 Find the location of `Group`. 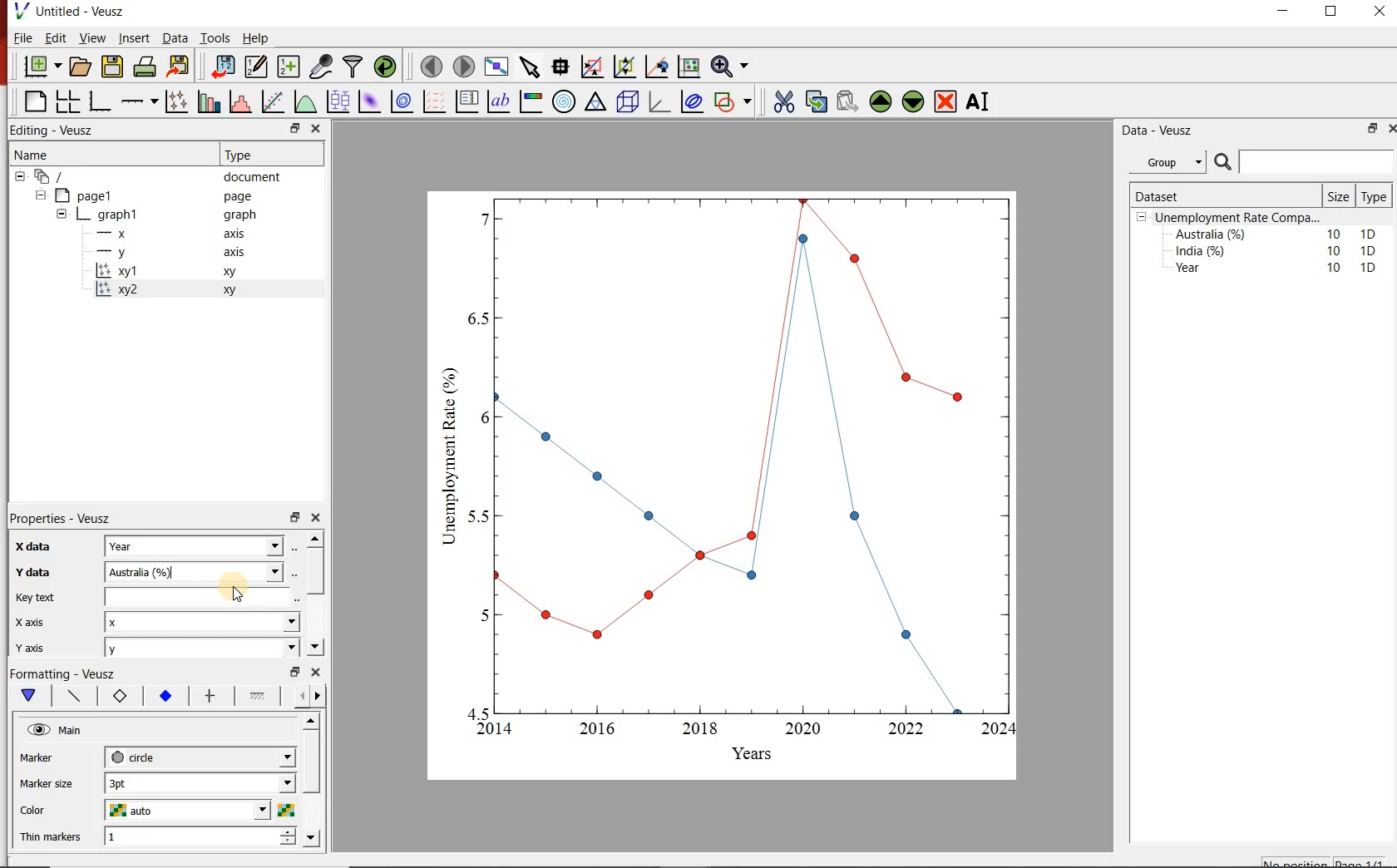

Group is located at coordinates (1170, 162).